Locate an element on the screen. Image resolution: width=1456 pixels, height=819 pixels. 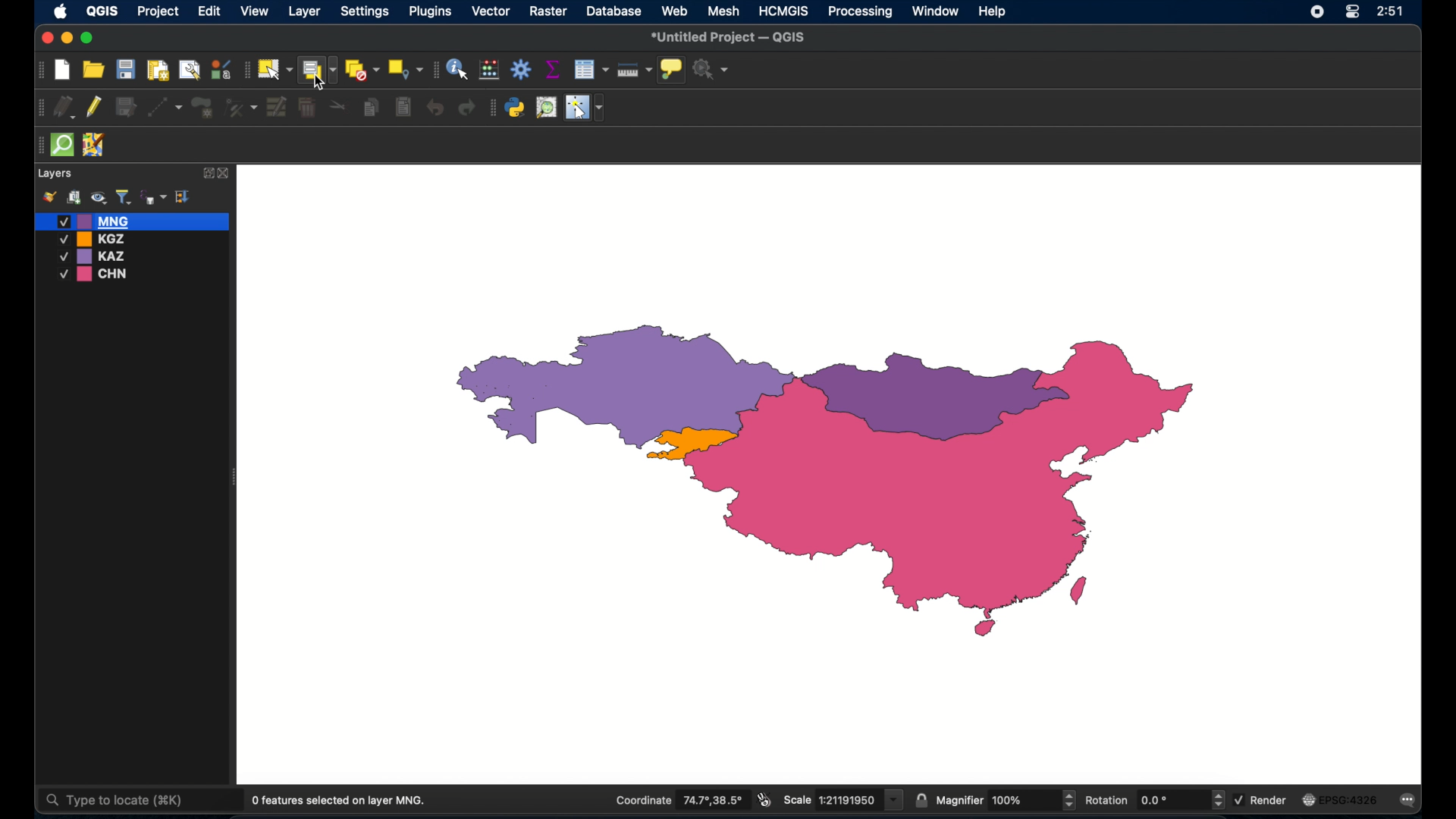
boundary maps is located at coordinates (828, 482).